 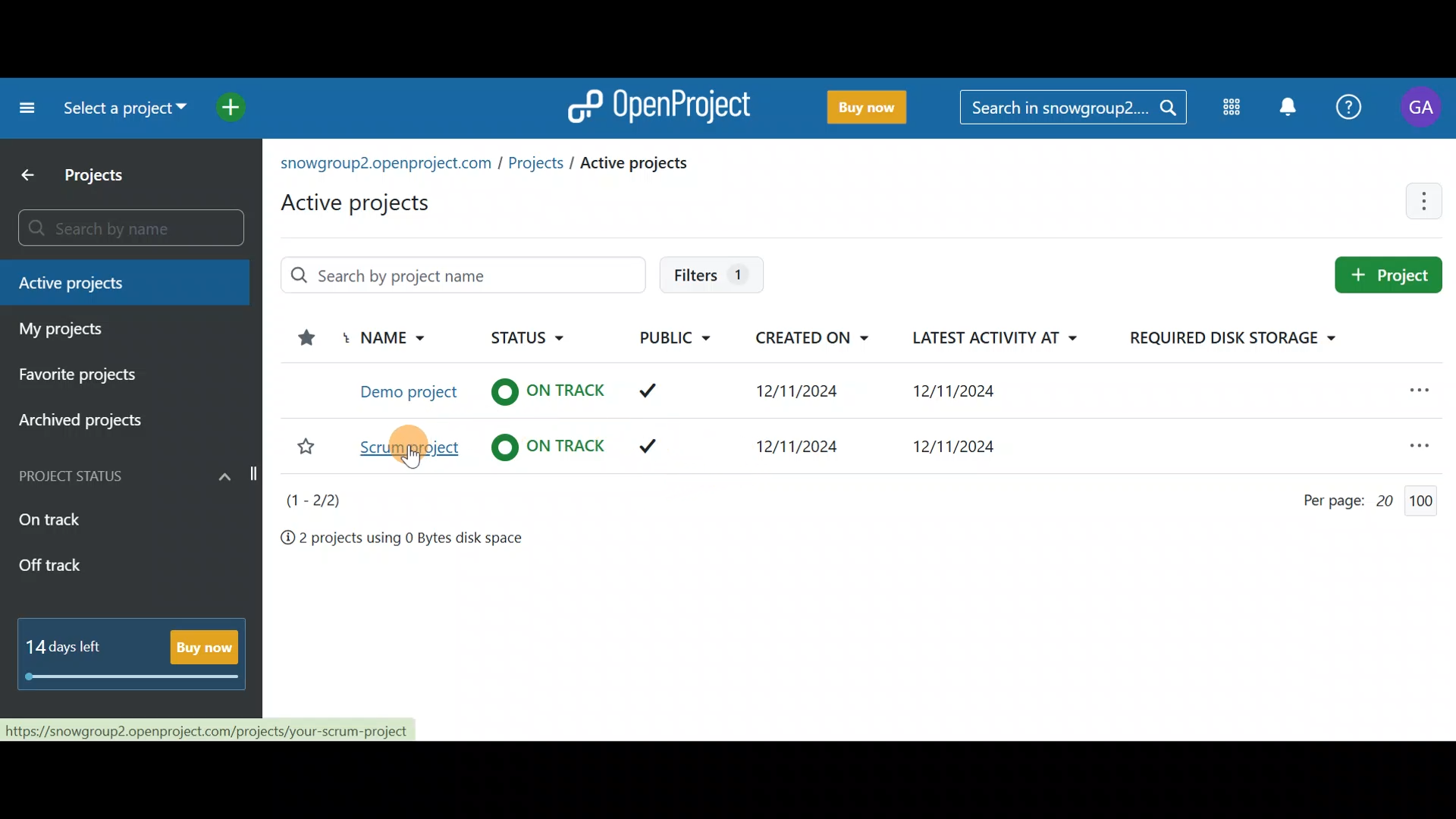 I want to click on public, so click(x=651, y=391).